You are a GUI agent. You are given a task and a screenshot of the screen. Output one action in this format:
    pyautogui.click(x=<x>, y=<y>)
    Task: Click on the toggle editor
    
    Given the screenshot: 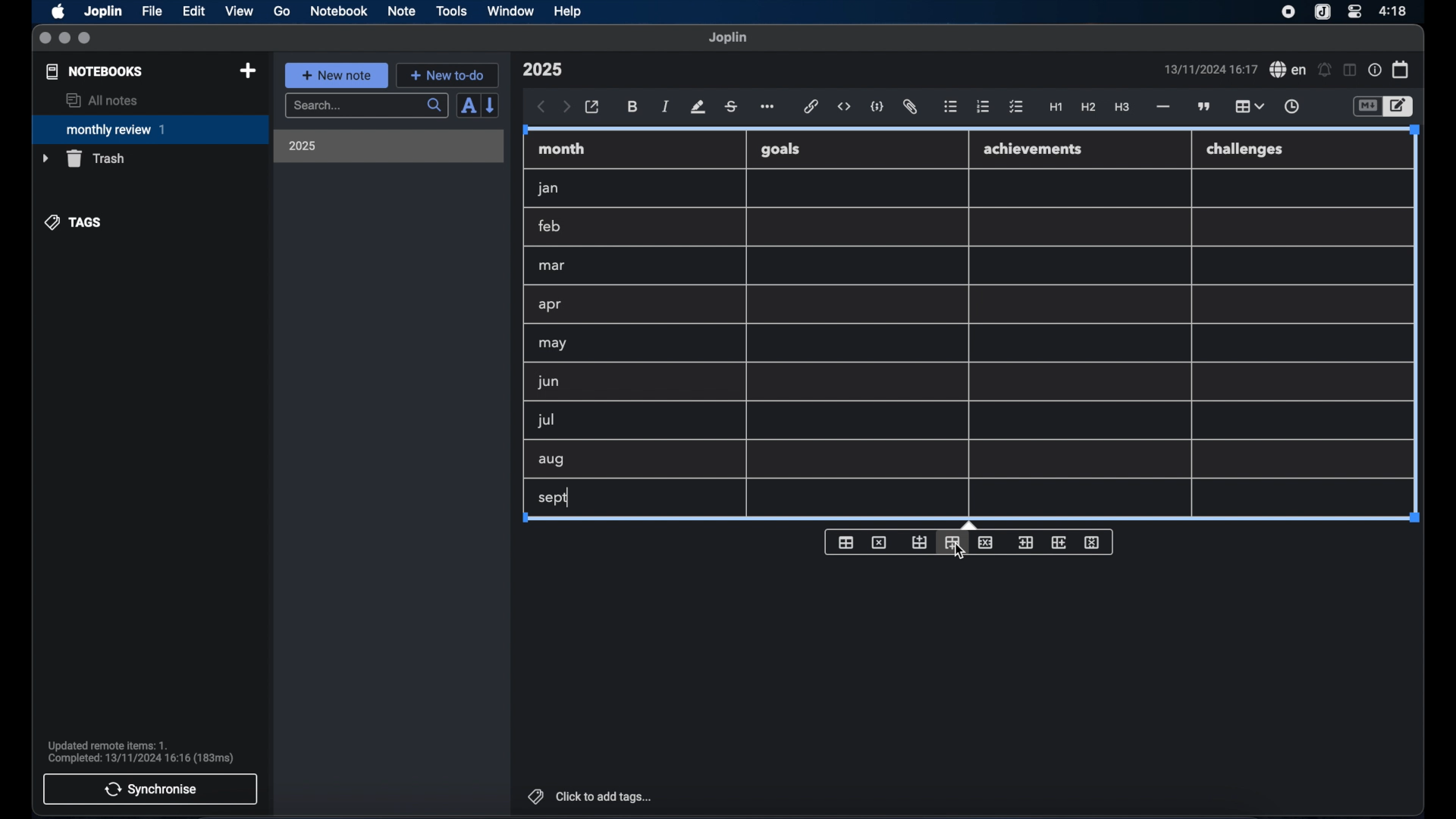 What is the action you would take?
    pyautogui.click(x=1401, y=107)
    